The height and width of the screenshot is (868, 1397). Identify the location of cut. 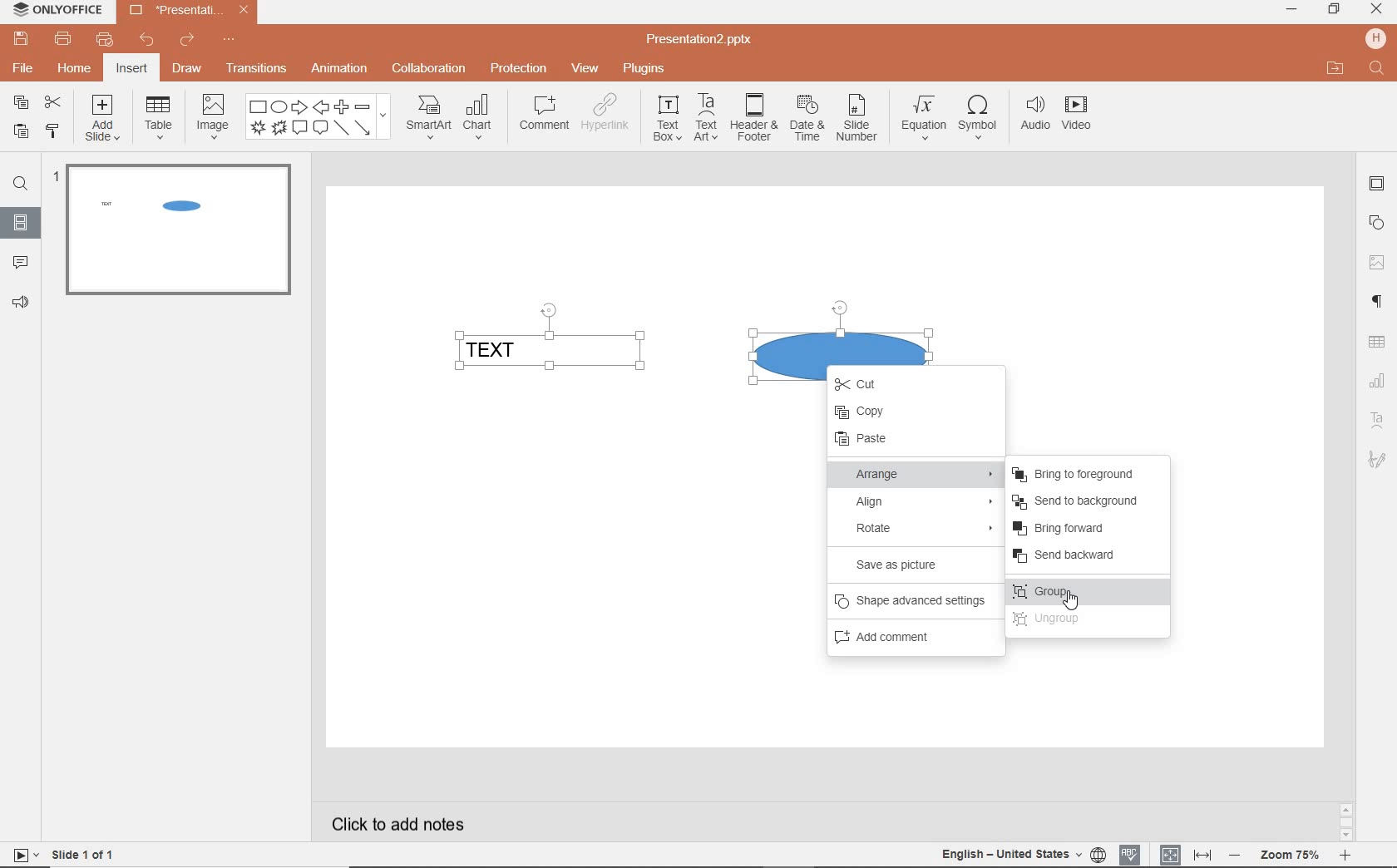
(53, 104).